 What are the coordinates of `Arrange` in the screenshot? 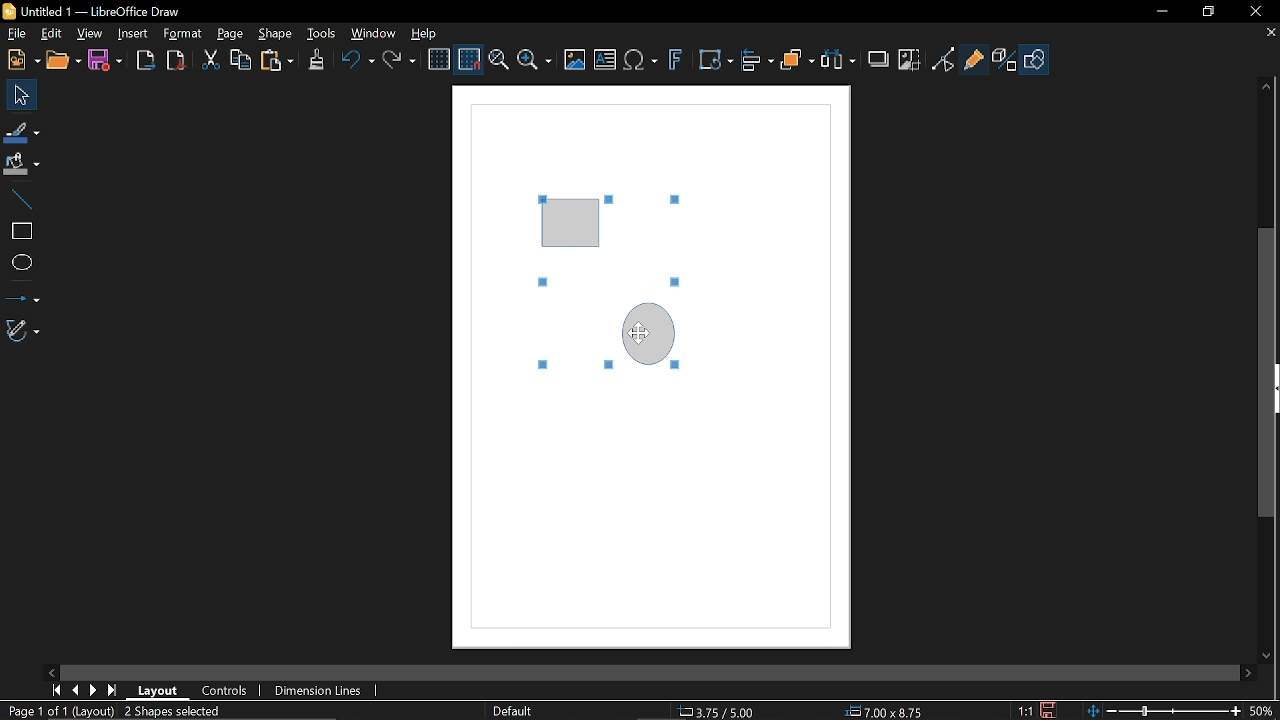 It's located at (799, 61).